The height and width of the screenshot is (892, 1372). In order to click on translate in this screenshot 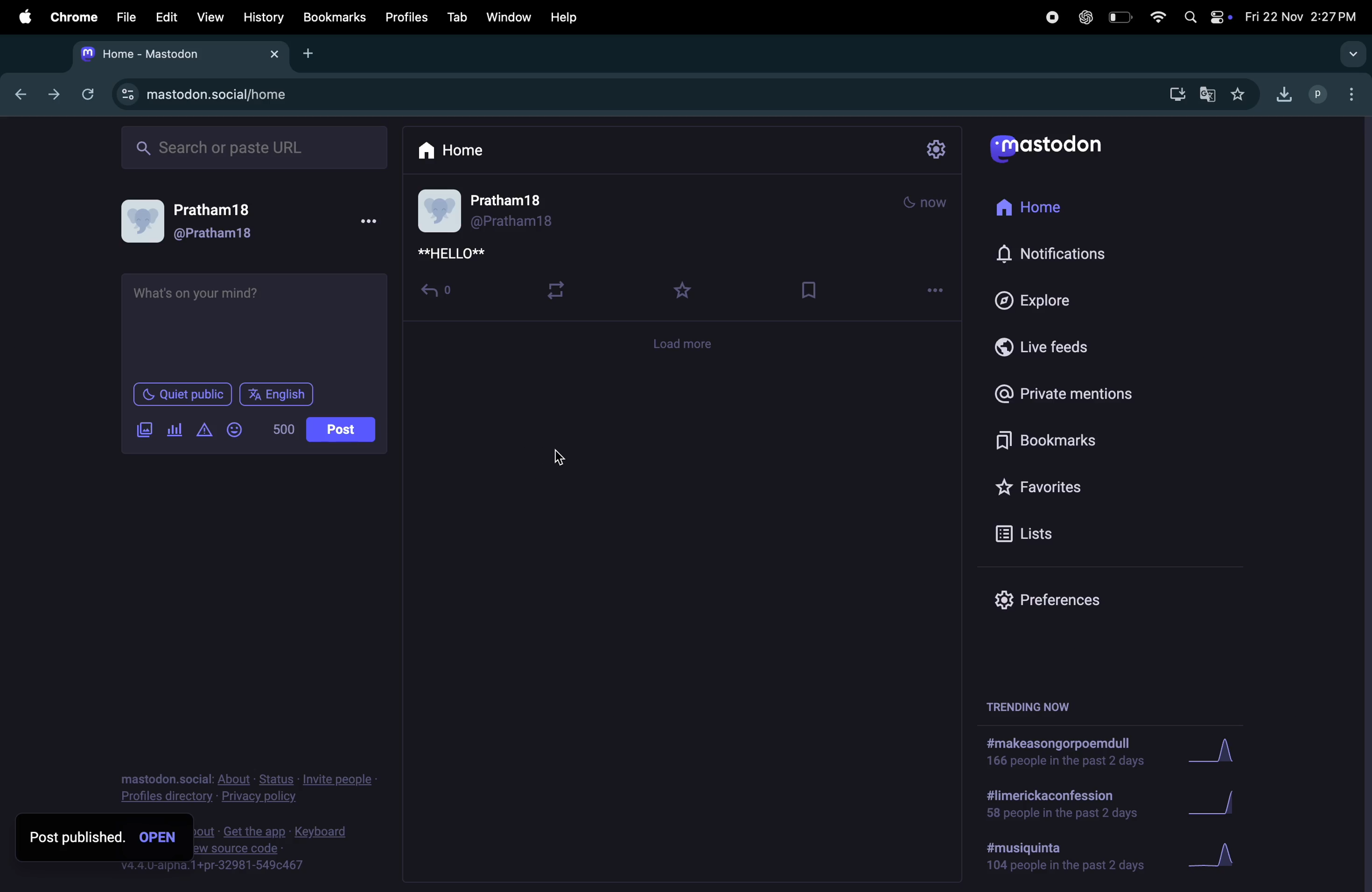, I will do `click(1208, 91)`.